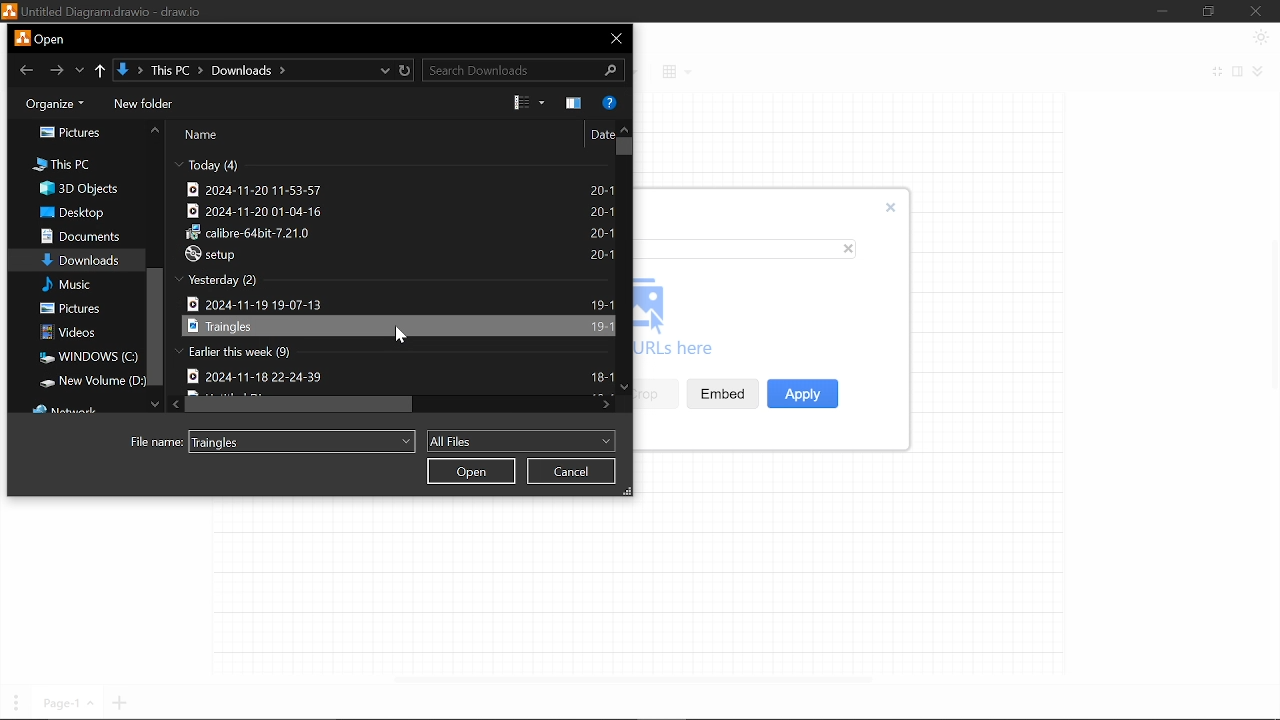 The height and width of the screenshot is (720, 1280). Describe the element at coordinates (58, 330) in the screenshot. I see `Videos` at that location.